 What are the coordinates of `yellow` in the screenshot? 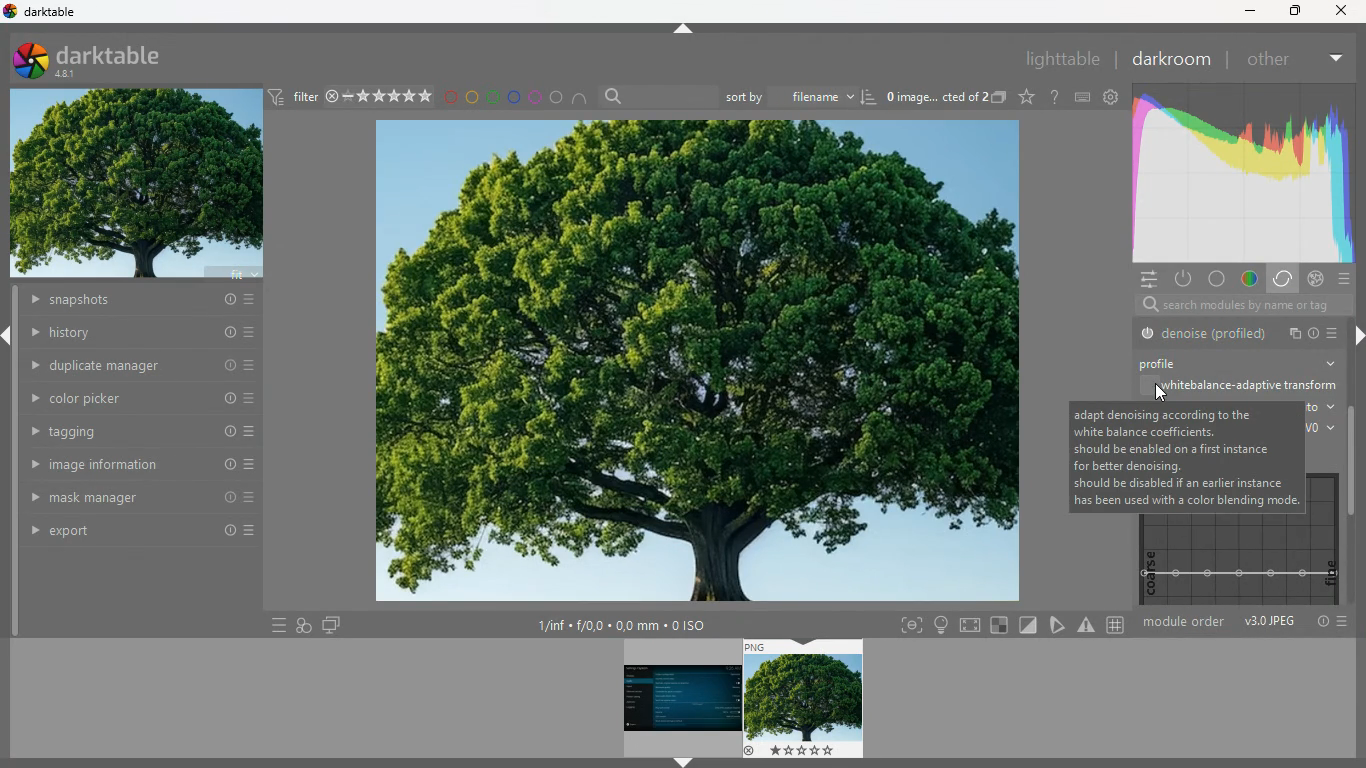 It's located at (471, 97).